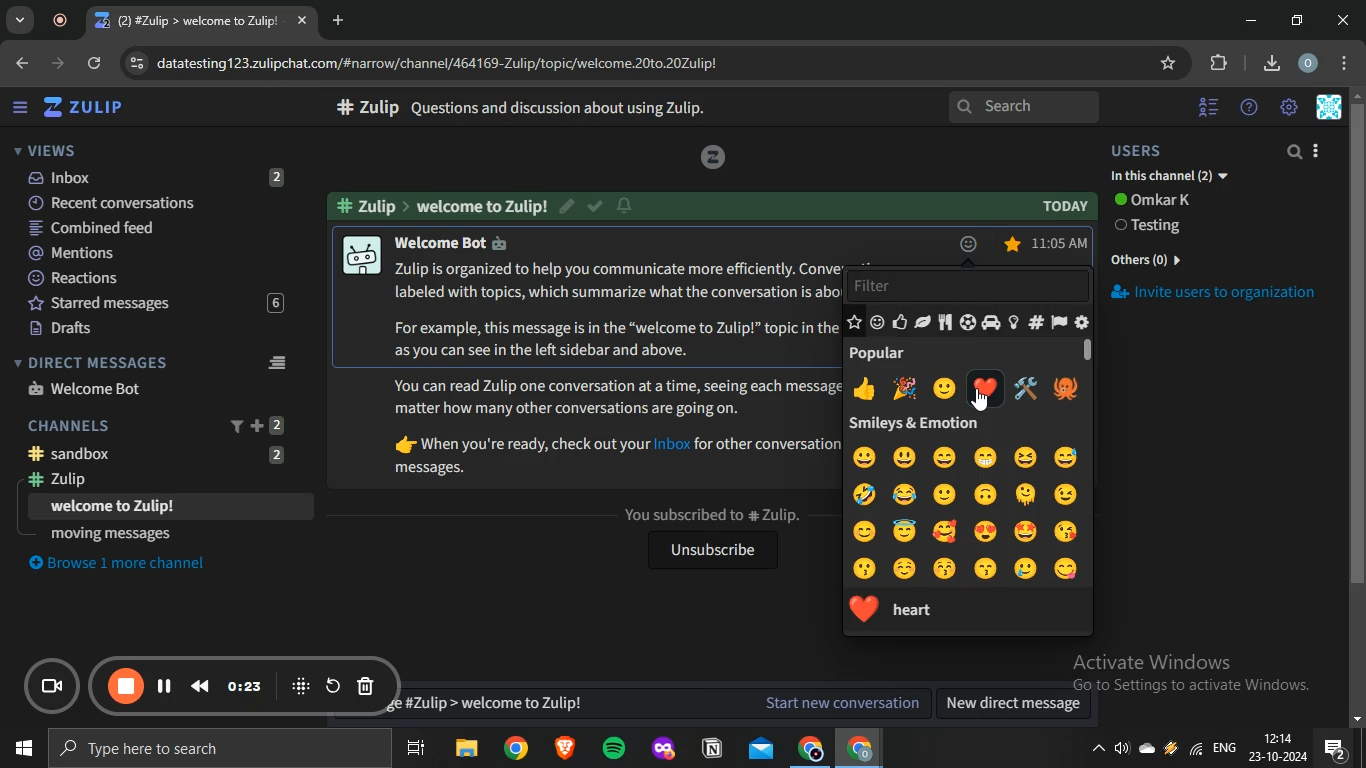 The height and width of the screenshot is (768, 1366). I want to click on text, so click(444, 205).